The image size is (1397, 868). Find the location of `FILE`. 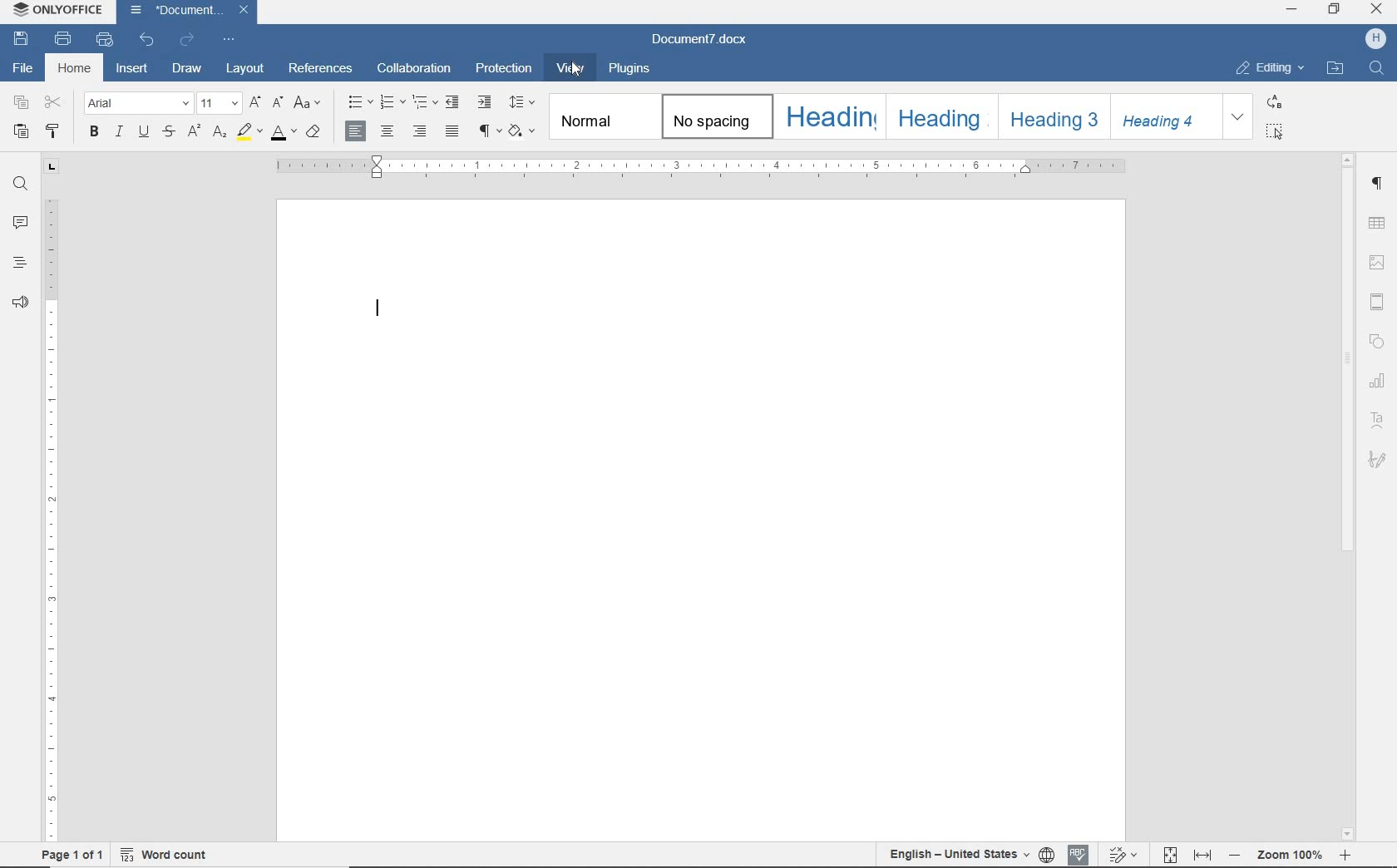

FILE is located at coordinates (22, 71).